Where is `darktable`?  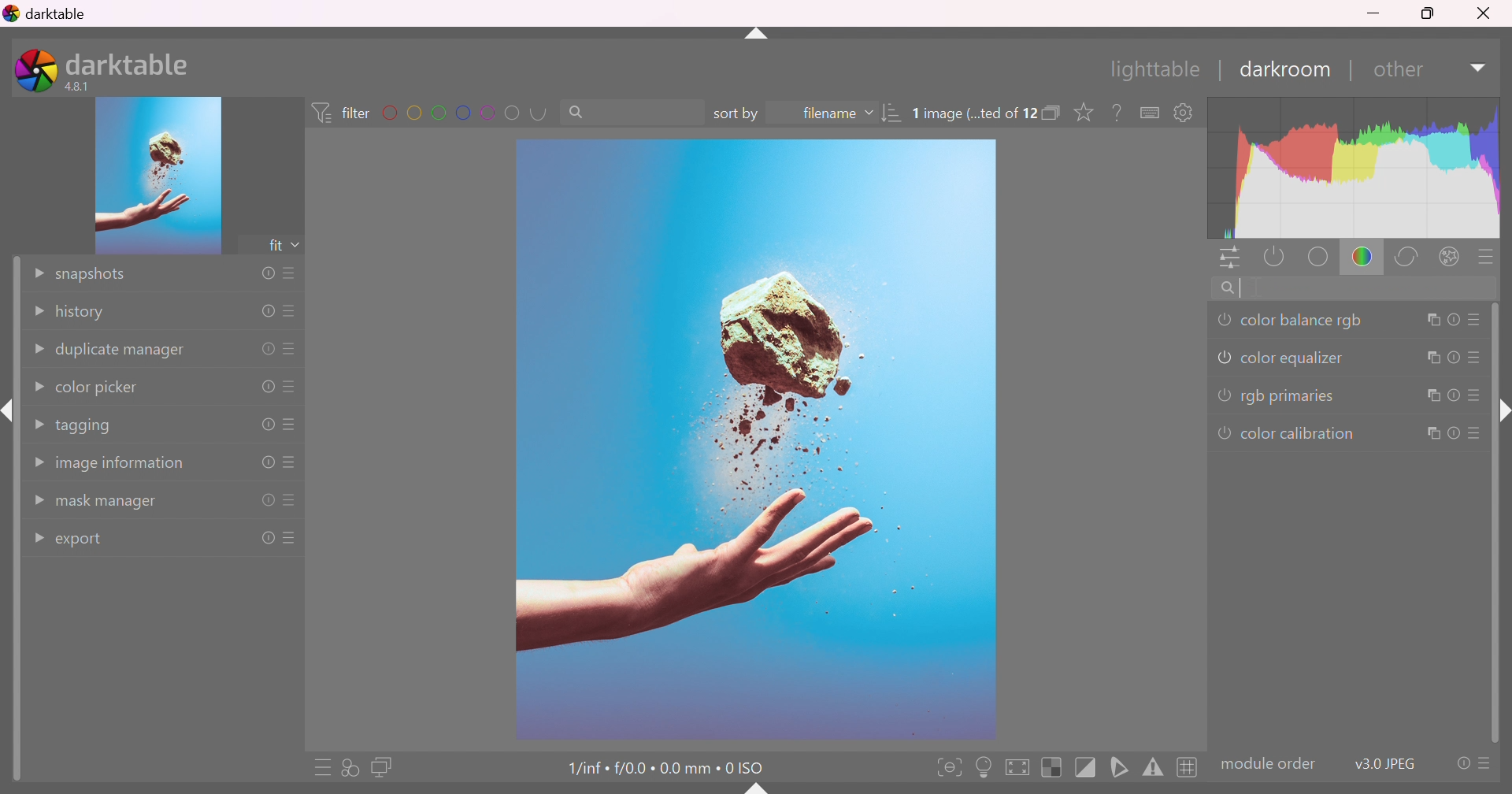
darktable is located at coordinates (132, 63).